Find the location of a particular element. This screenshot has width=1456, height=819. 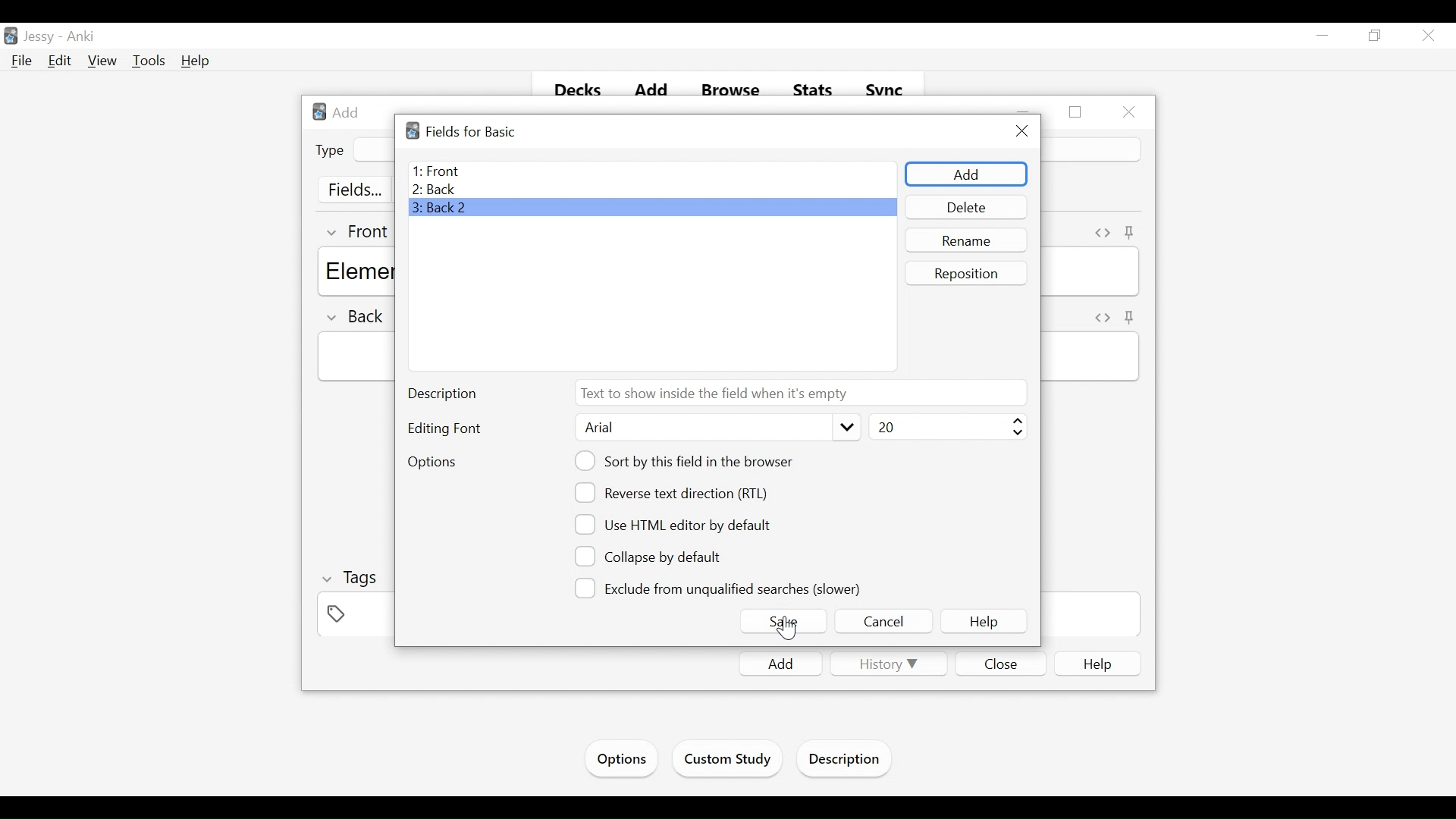

View is located at coordinates (103, 61).